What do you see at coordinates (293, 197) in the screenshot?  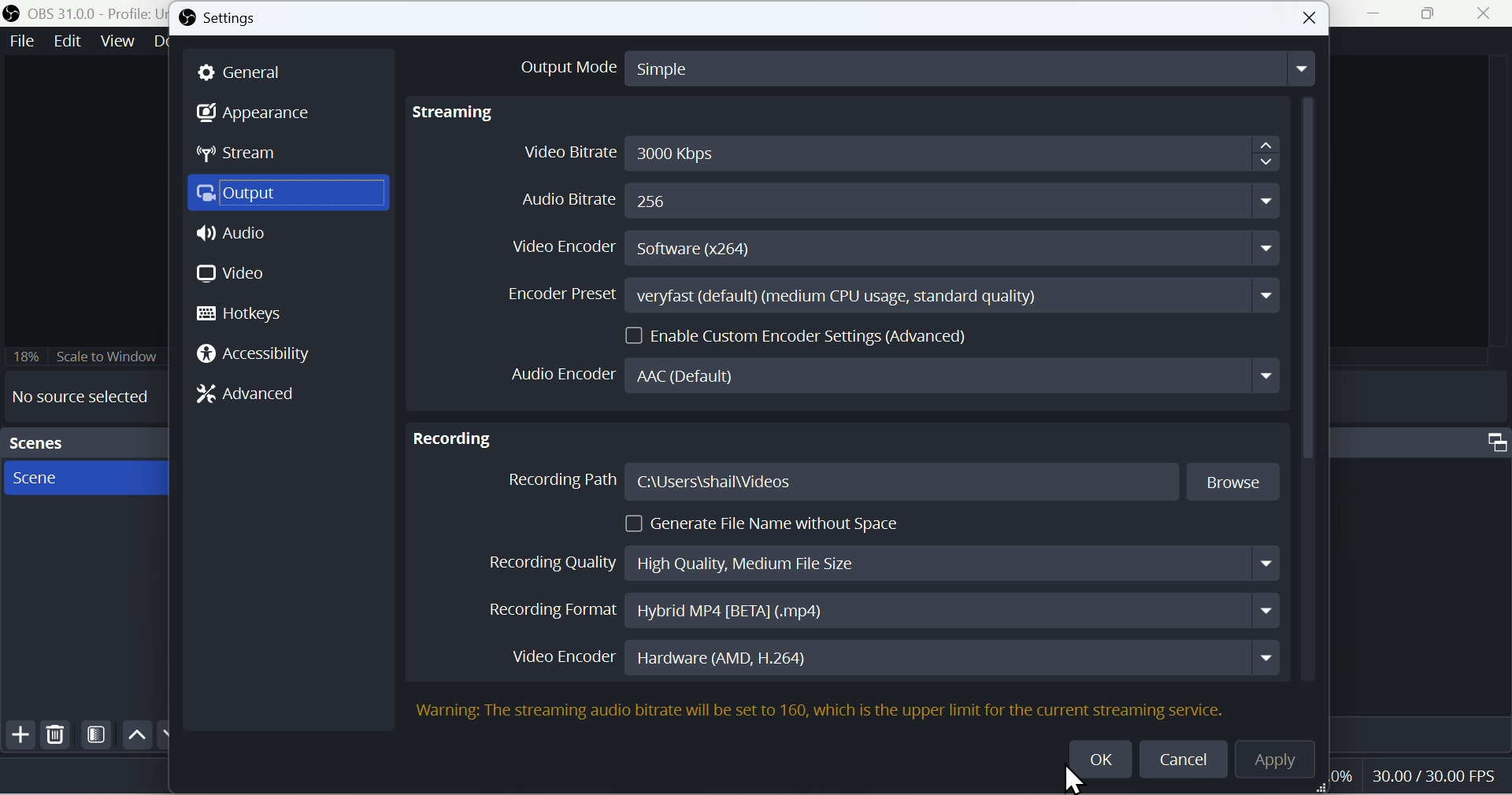 I see `Output` at bounding box center [293, 197].